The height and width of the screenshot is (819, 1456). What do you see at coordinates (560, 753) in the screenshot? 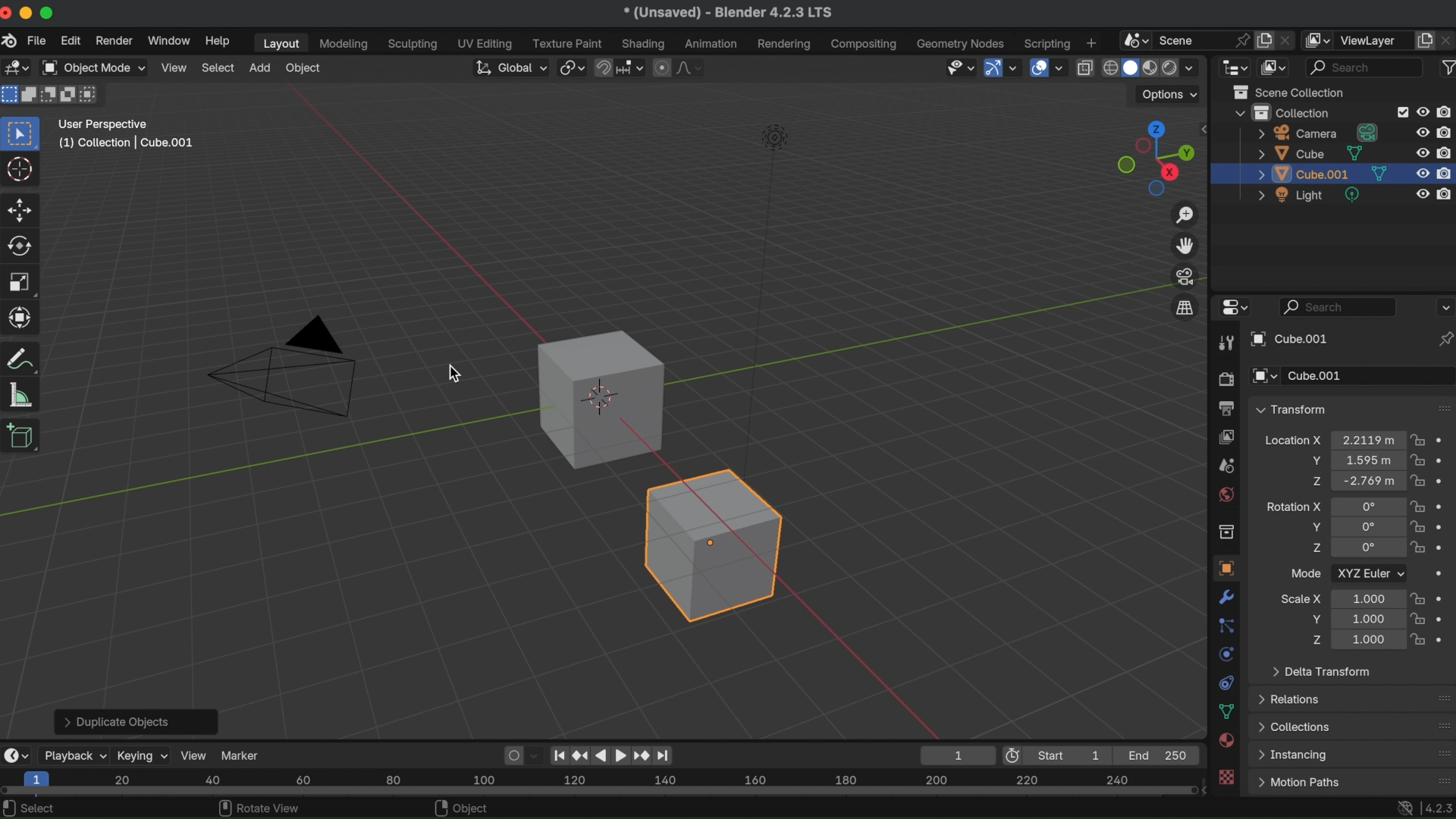
I see `jumpo to endpoint` at bounding box center [560, 753].